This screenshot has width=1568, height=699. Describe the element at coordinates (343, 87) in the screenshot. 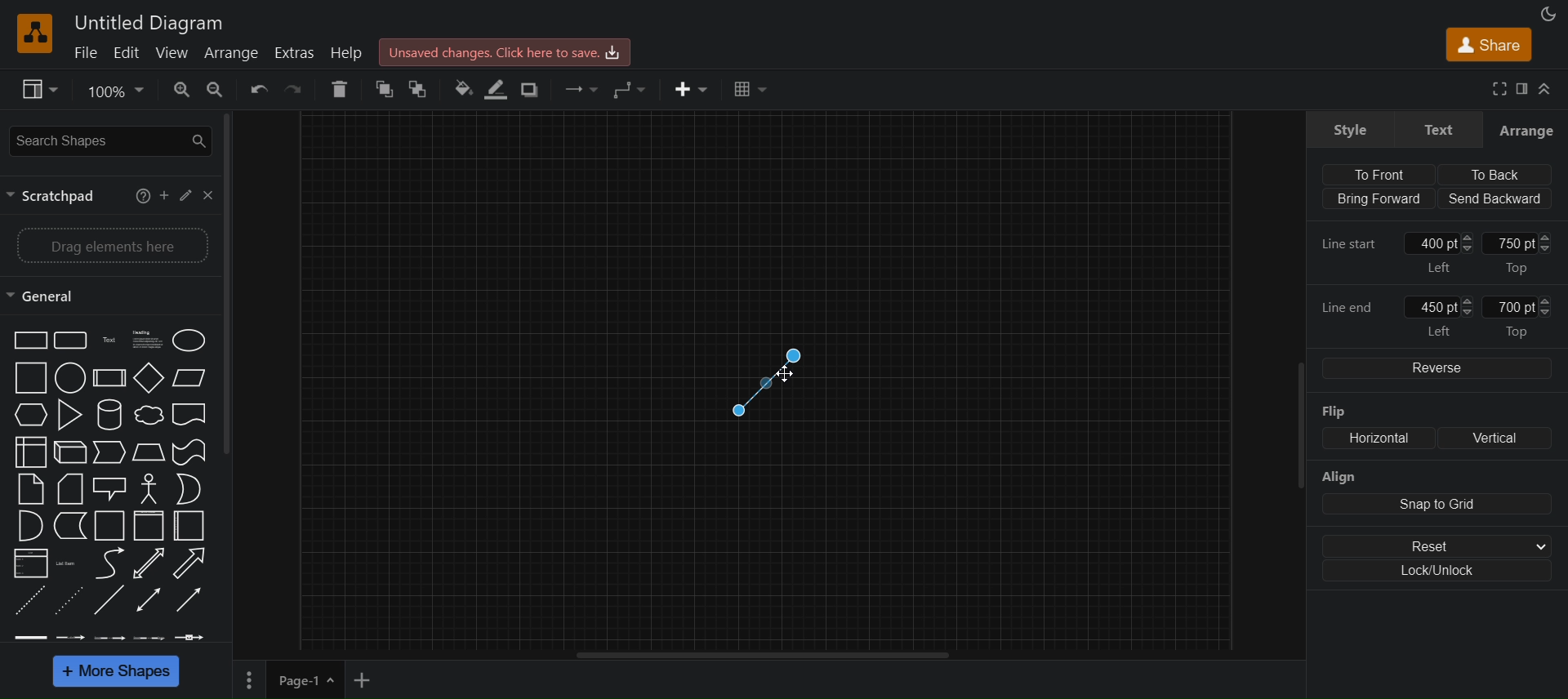

I see `delete` at that location.